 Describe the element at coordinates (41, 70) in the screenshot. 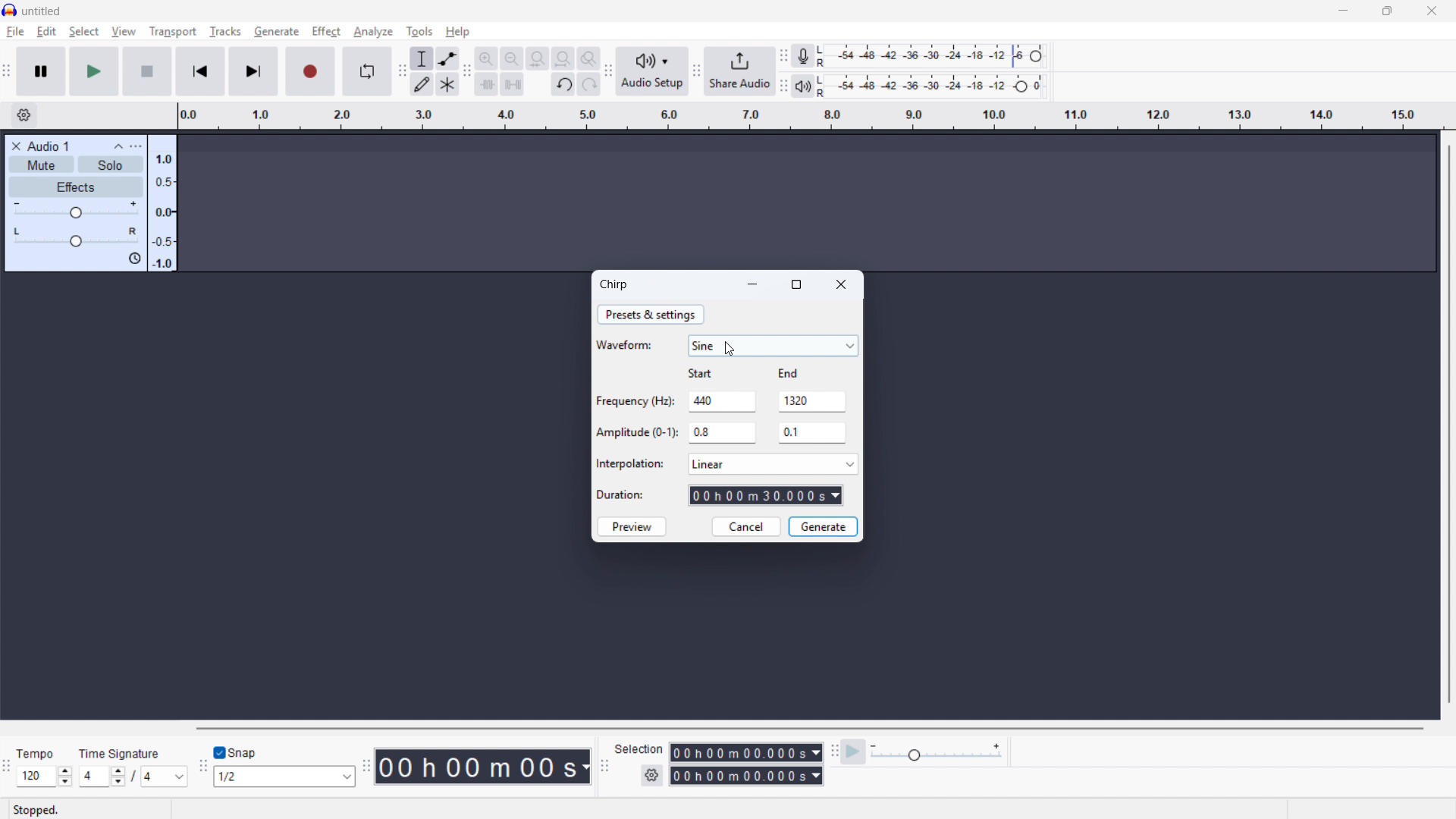

I see `Pause ` at that location.